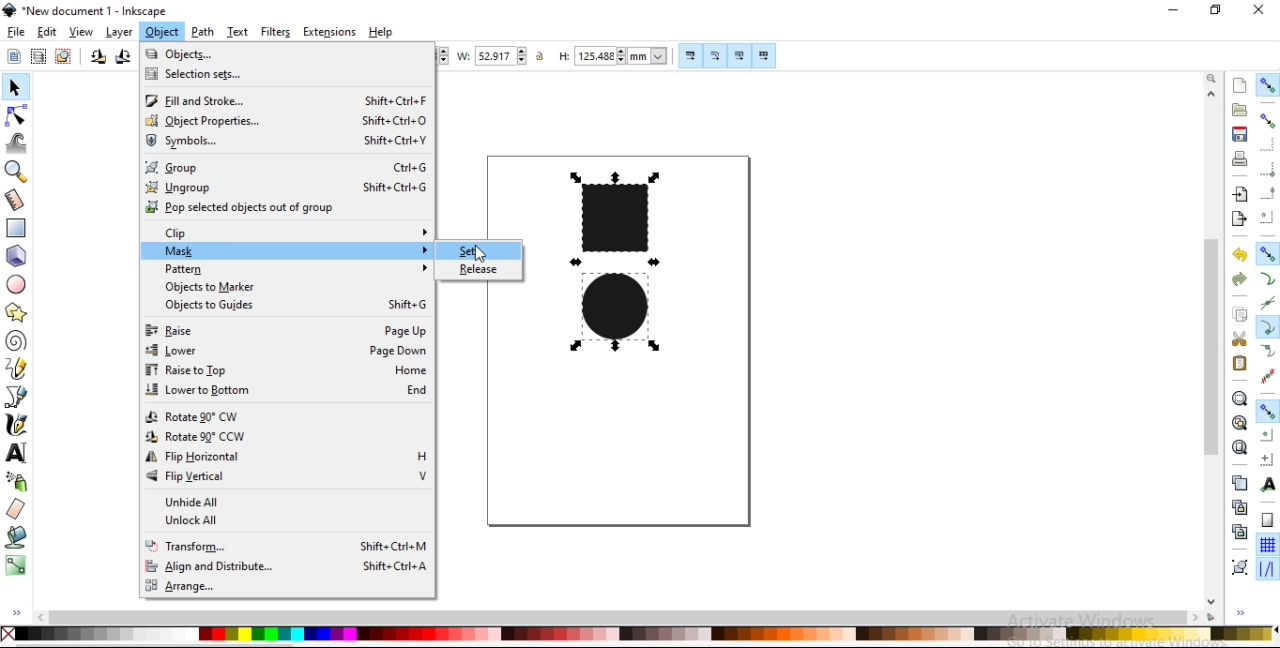 The width and height of the screenshot is (1280, 648). I want to click on scale radii of rounded corners, so click(716, 57).